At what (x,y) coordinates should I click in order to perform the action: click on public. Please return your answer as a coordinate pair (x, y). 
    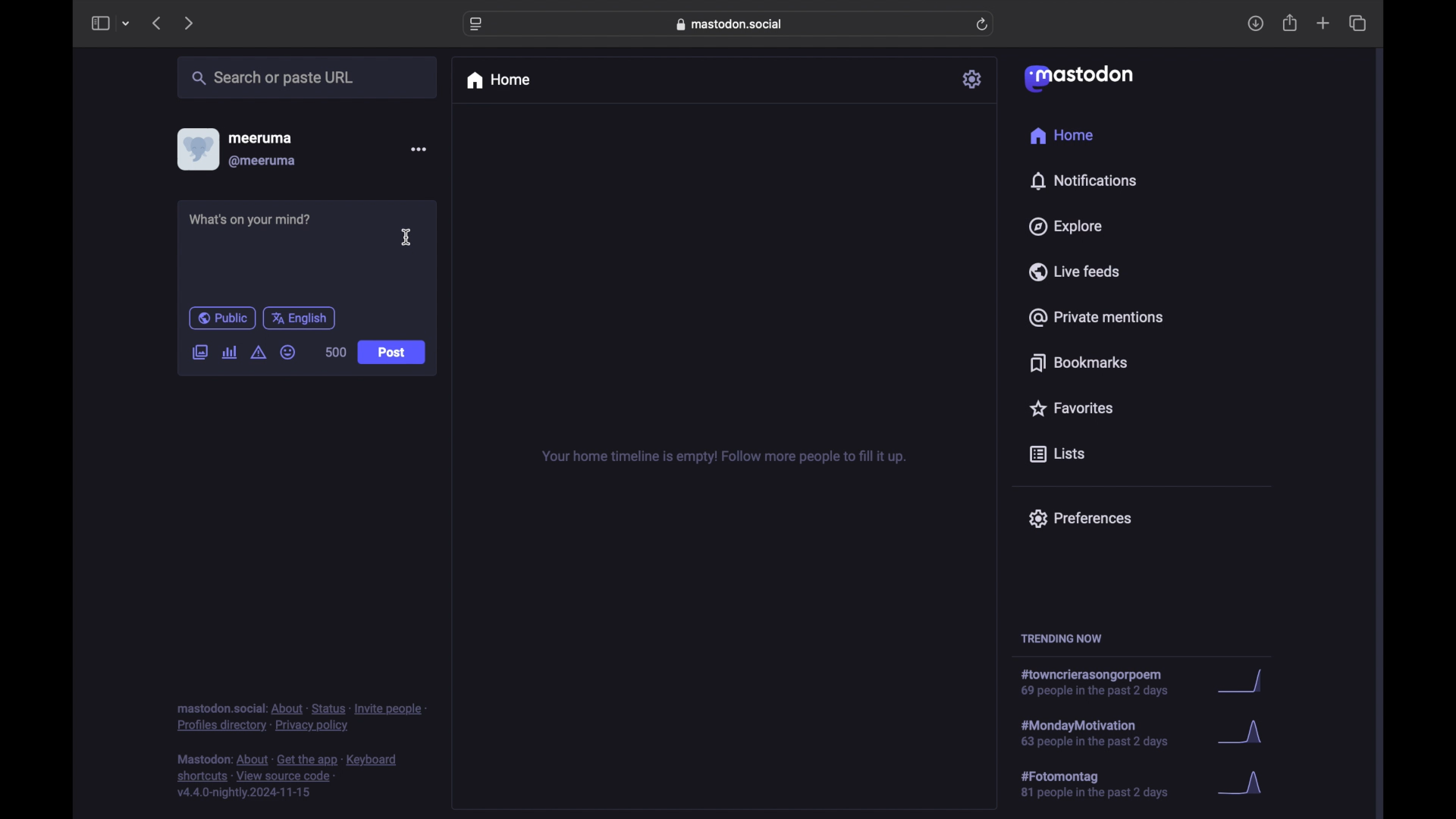
    Looking at the image, I should click on (221, 318).